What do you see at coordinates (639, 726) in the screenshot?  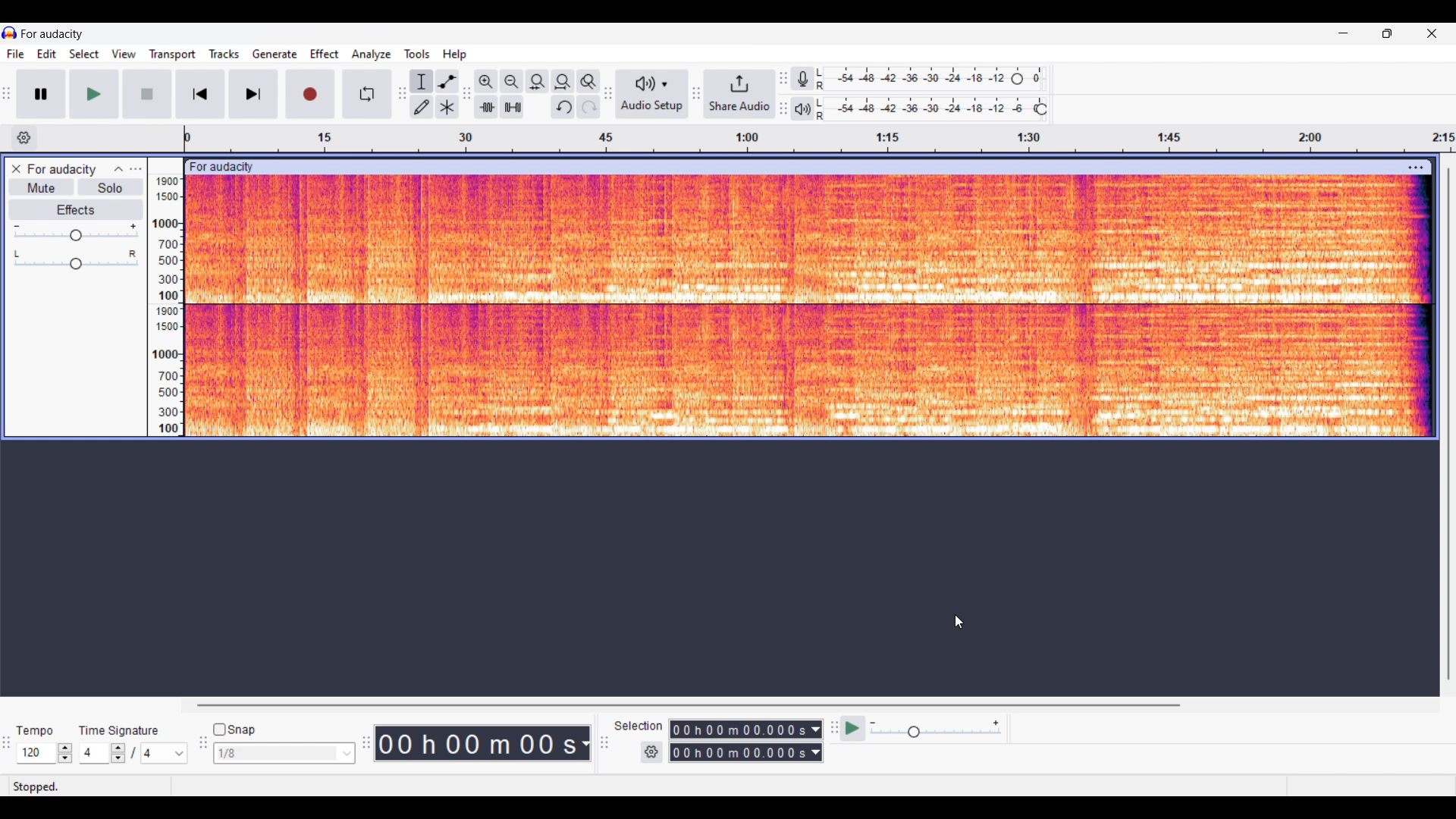 I see `Indicates selection duration` at bounding box center [639, 726].